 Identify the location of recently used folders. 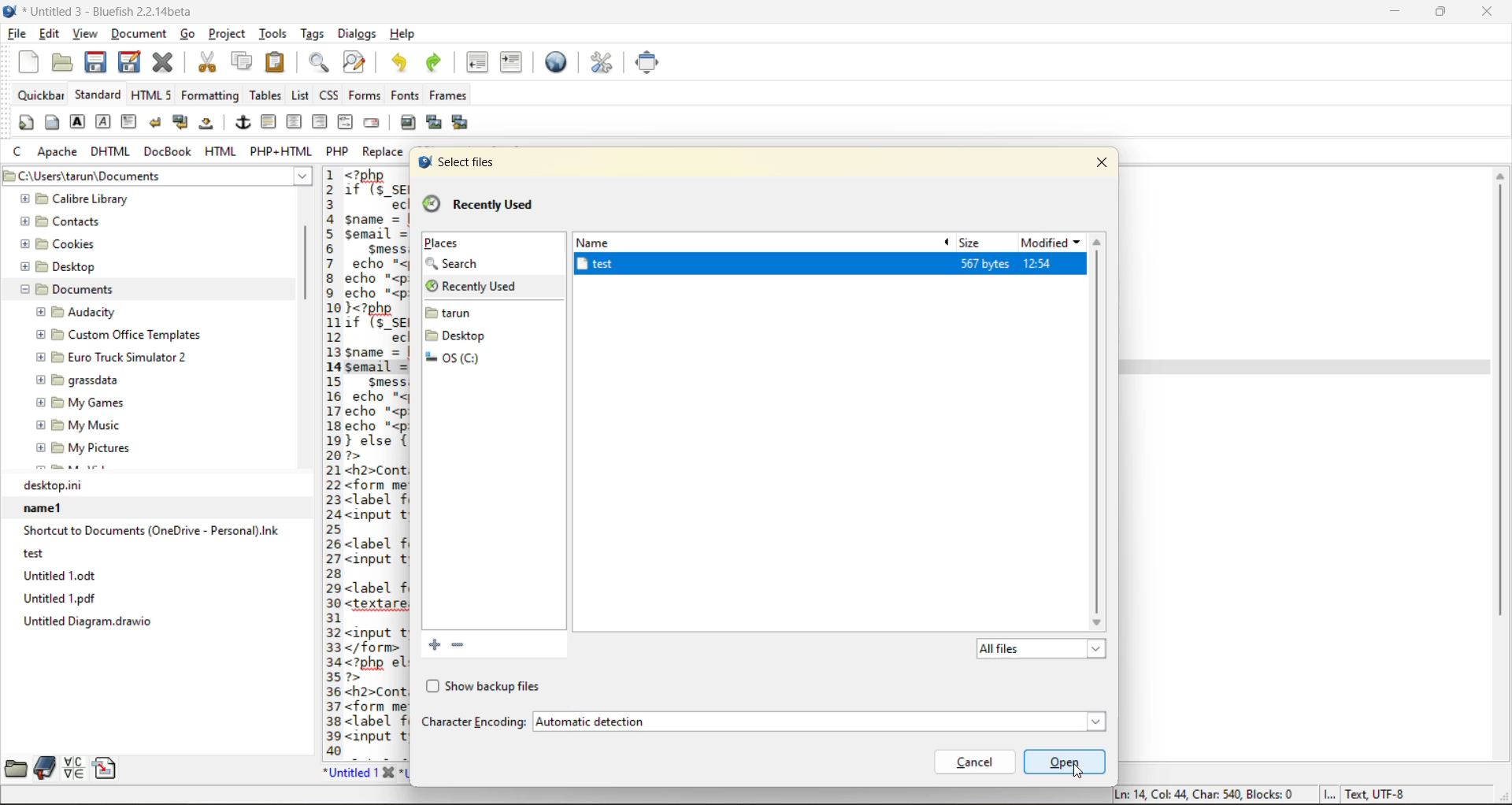
(479, 206).